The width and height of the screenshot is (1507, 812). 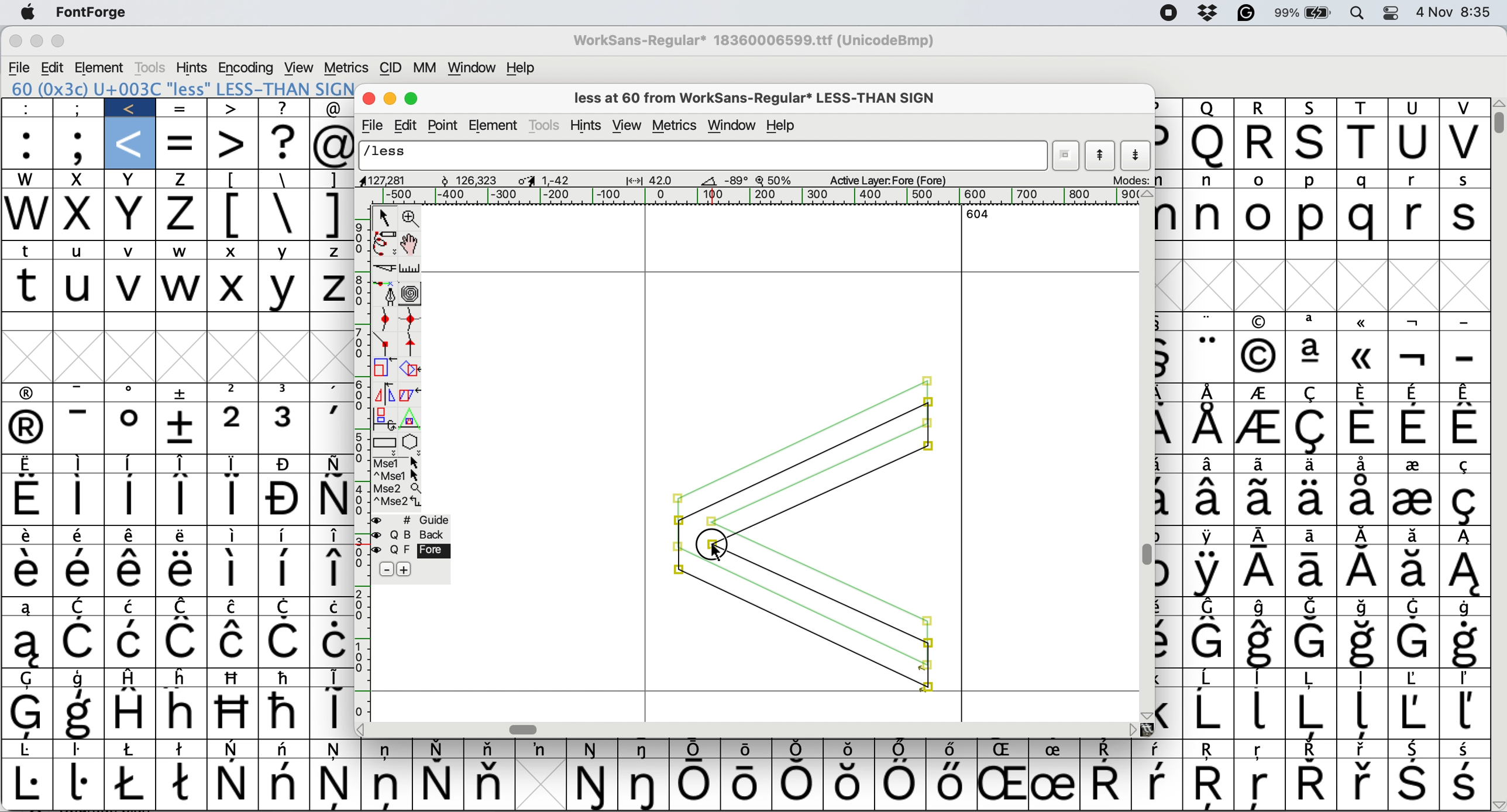 I want to click on SymbolSymbol, so click(x=1363, y=643).